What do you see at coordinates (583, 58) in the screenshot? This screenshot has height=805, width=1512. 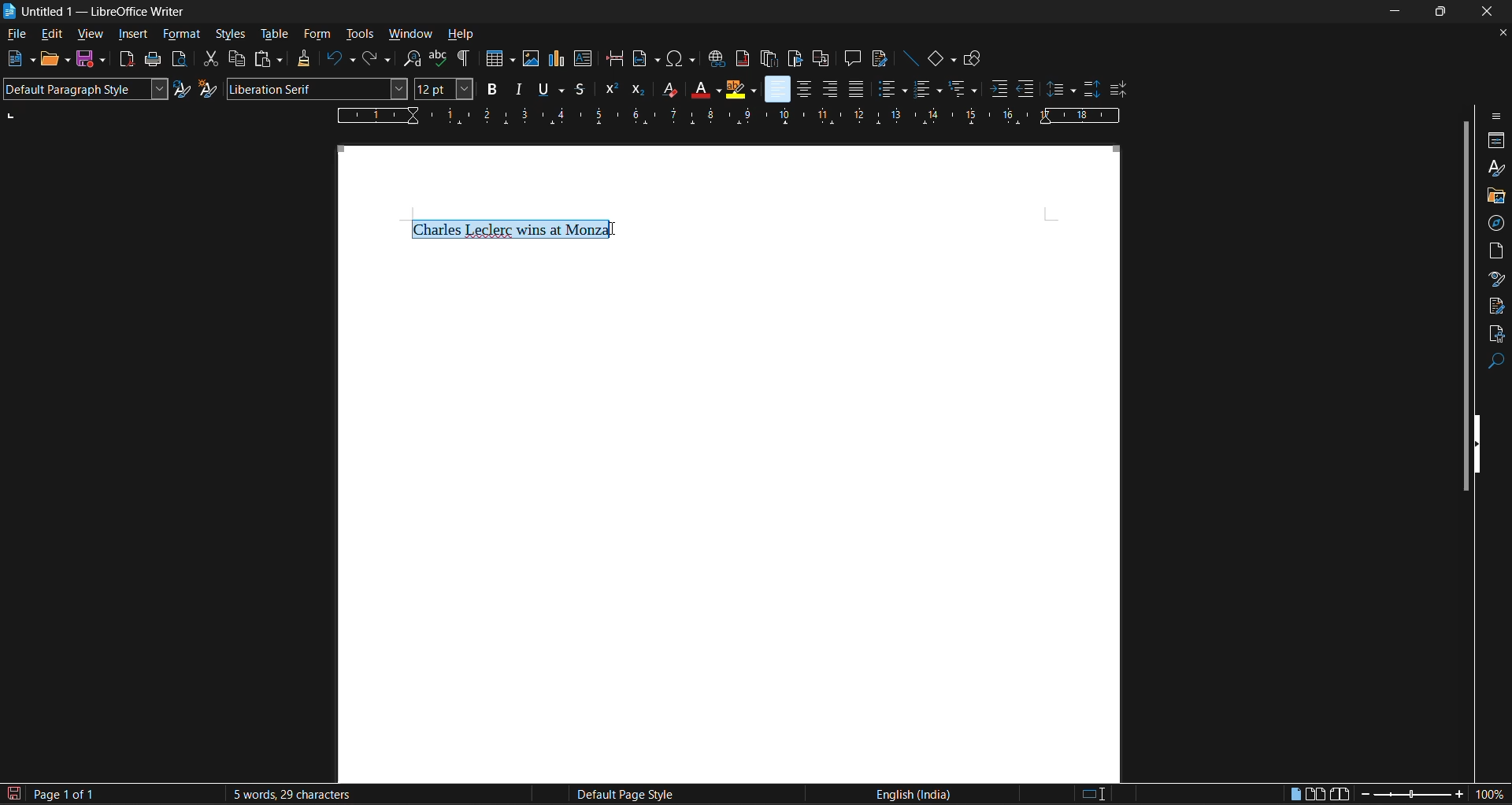 I see `insert text box` at bounding box center [583, 58].